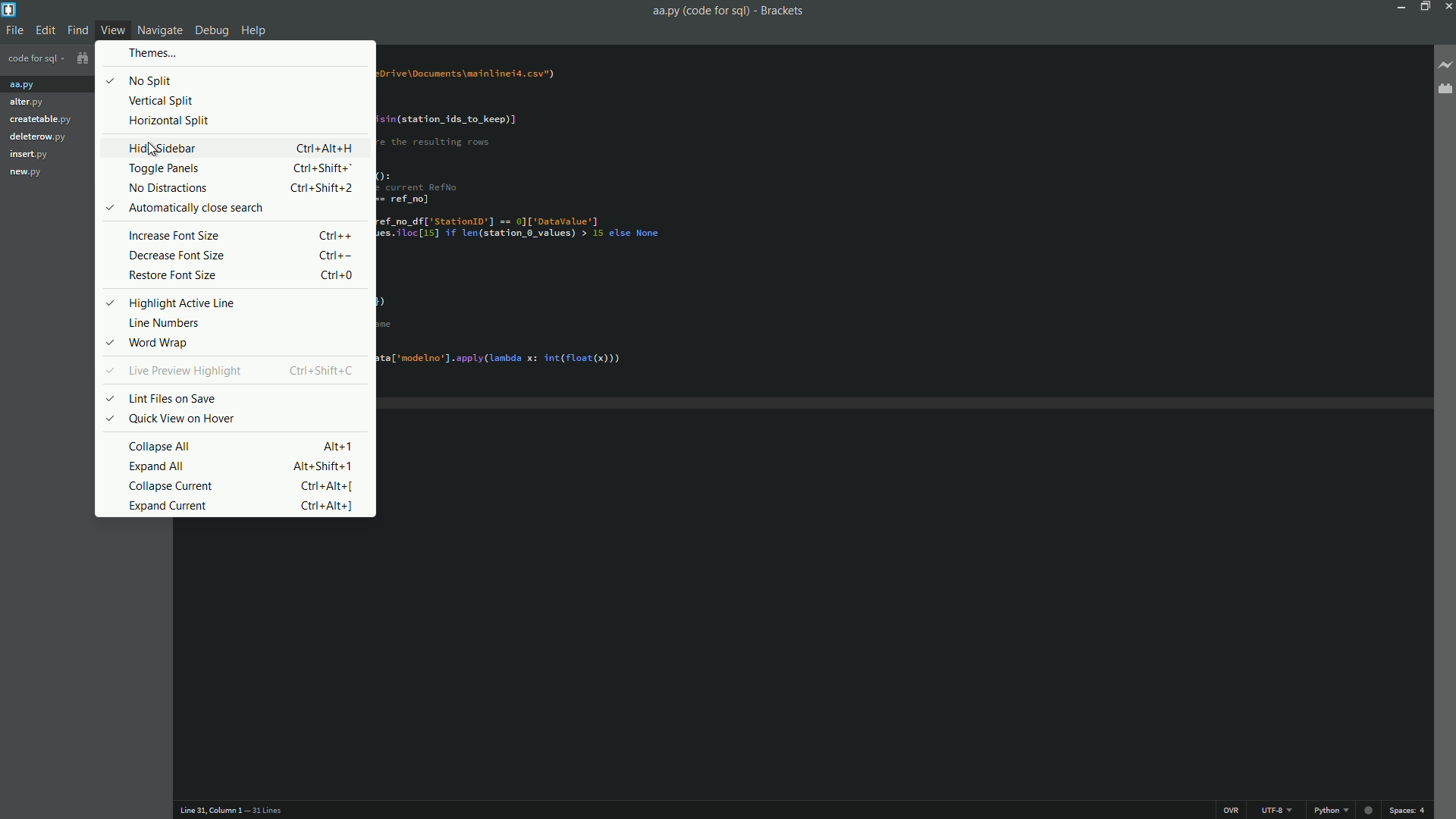 Image resolution: width=1456 pixels, height=819 pixels. I want to click on word wrap button, so click(162, 344).